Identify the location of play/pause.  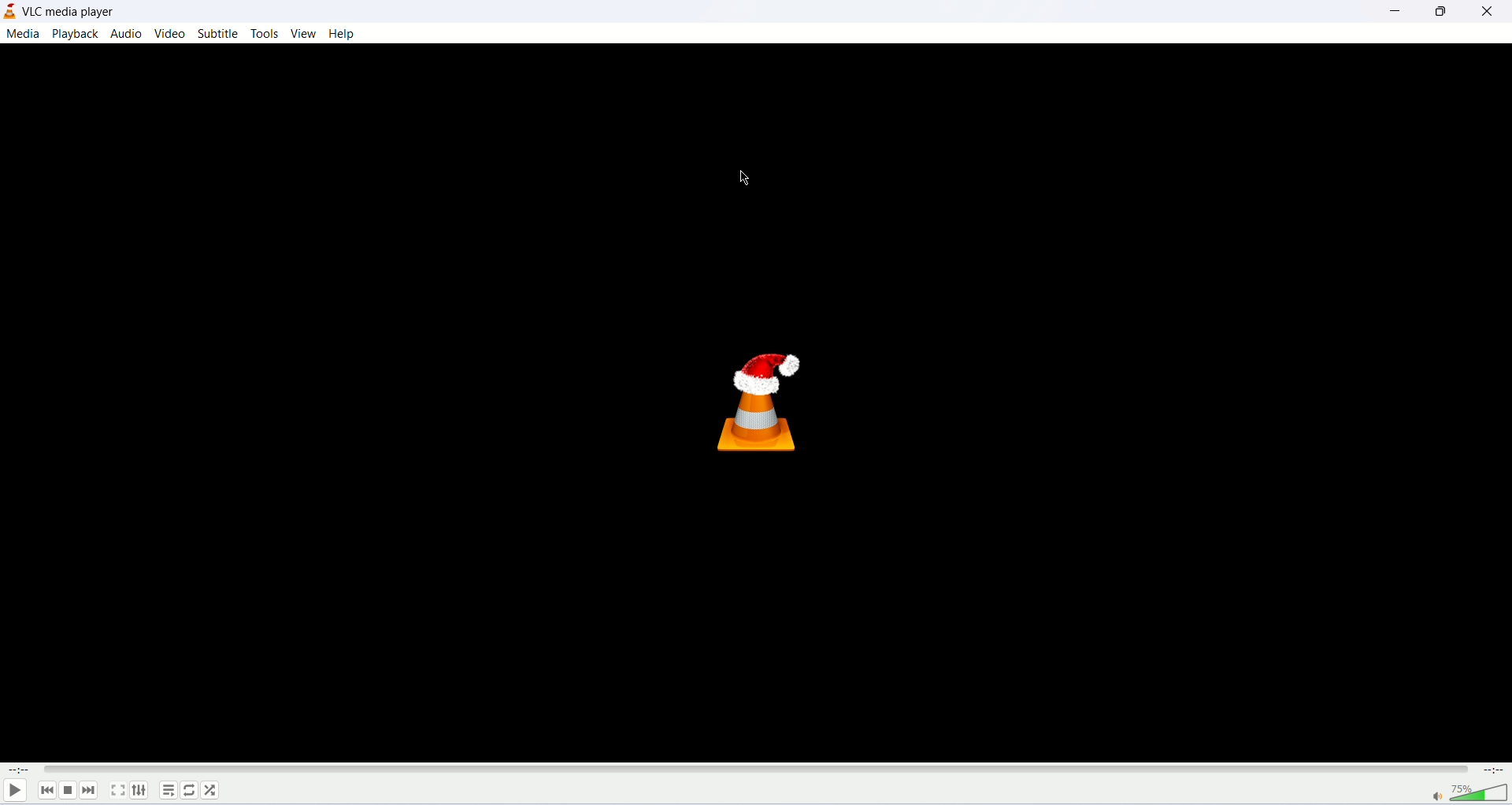
(16, 792).